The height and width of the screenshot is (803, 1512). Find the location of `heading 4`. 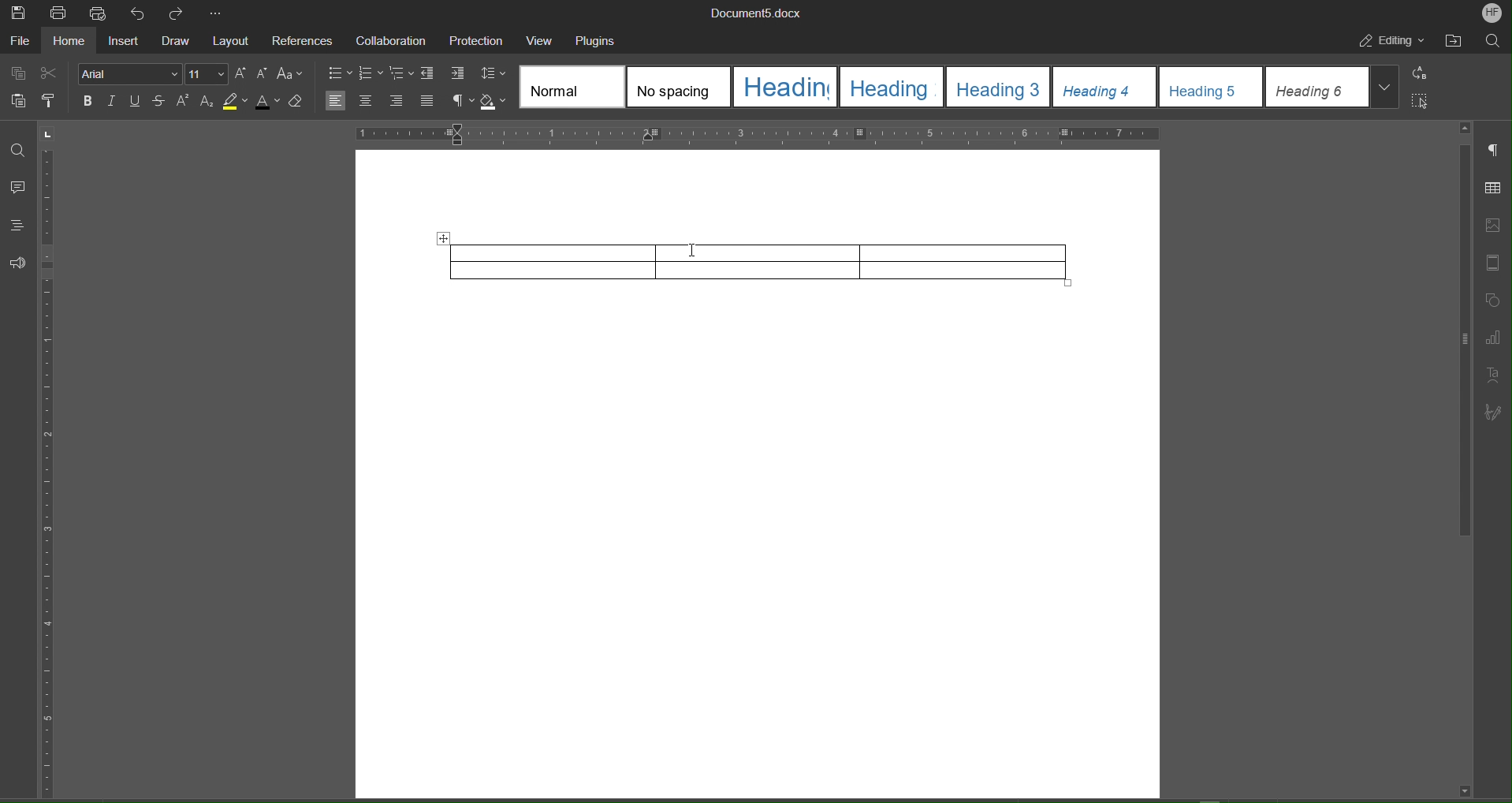

heading 4 is located at coordinates (1105, 87).